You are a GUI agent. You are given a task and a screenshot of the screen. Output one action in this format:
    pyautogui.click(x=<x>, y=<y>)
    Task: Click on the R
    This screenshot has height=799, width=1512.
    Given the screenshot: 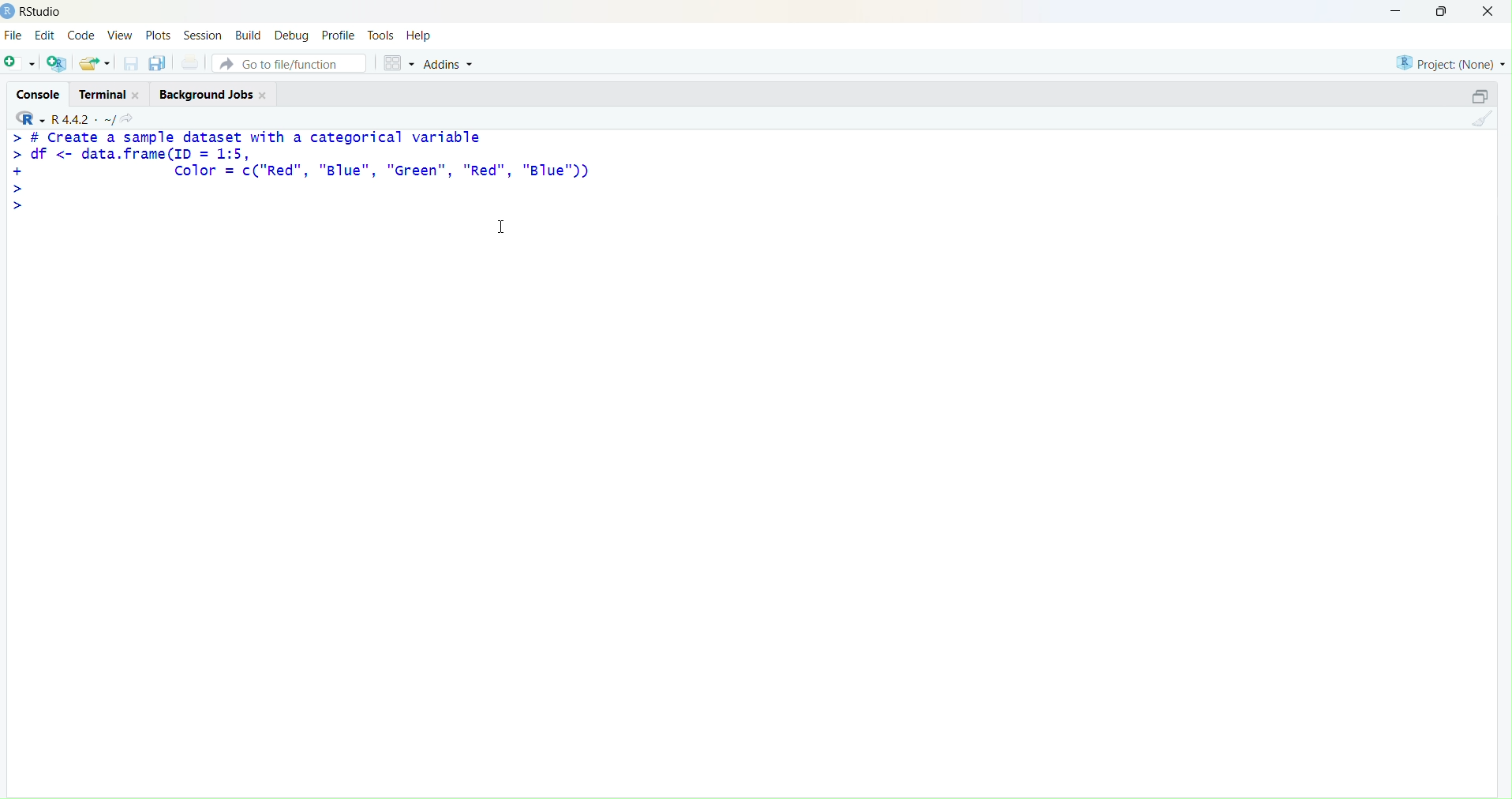 What is the action you would take?
    pyautogui.click(x=31, y=118)
    